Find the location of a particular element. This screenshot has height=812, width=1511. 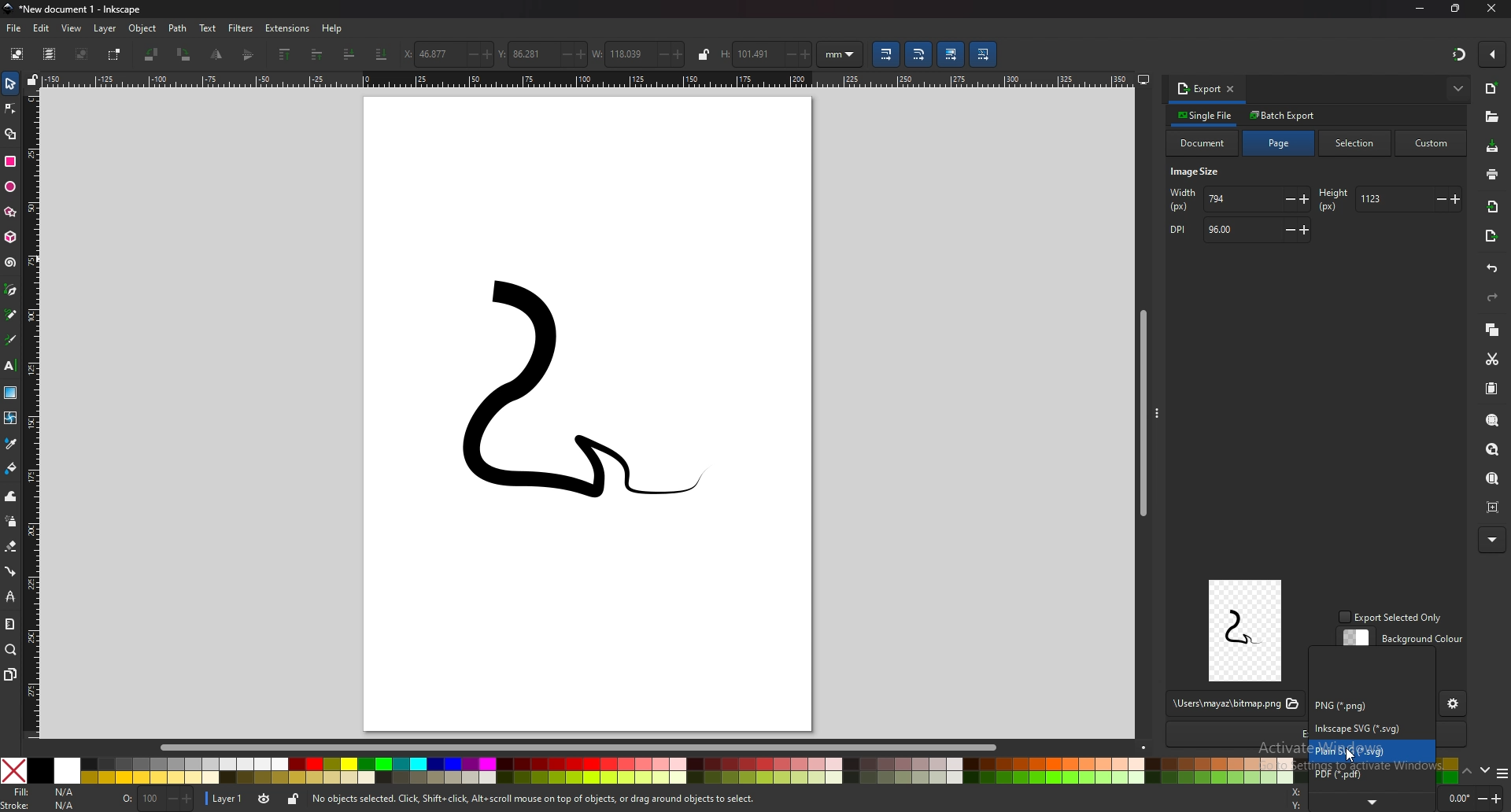

pencil is located at coordinates (12, 314).